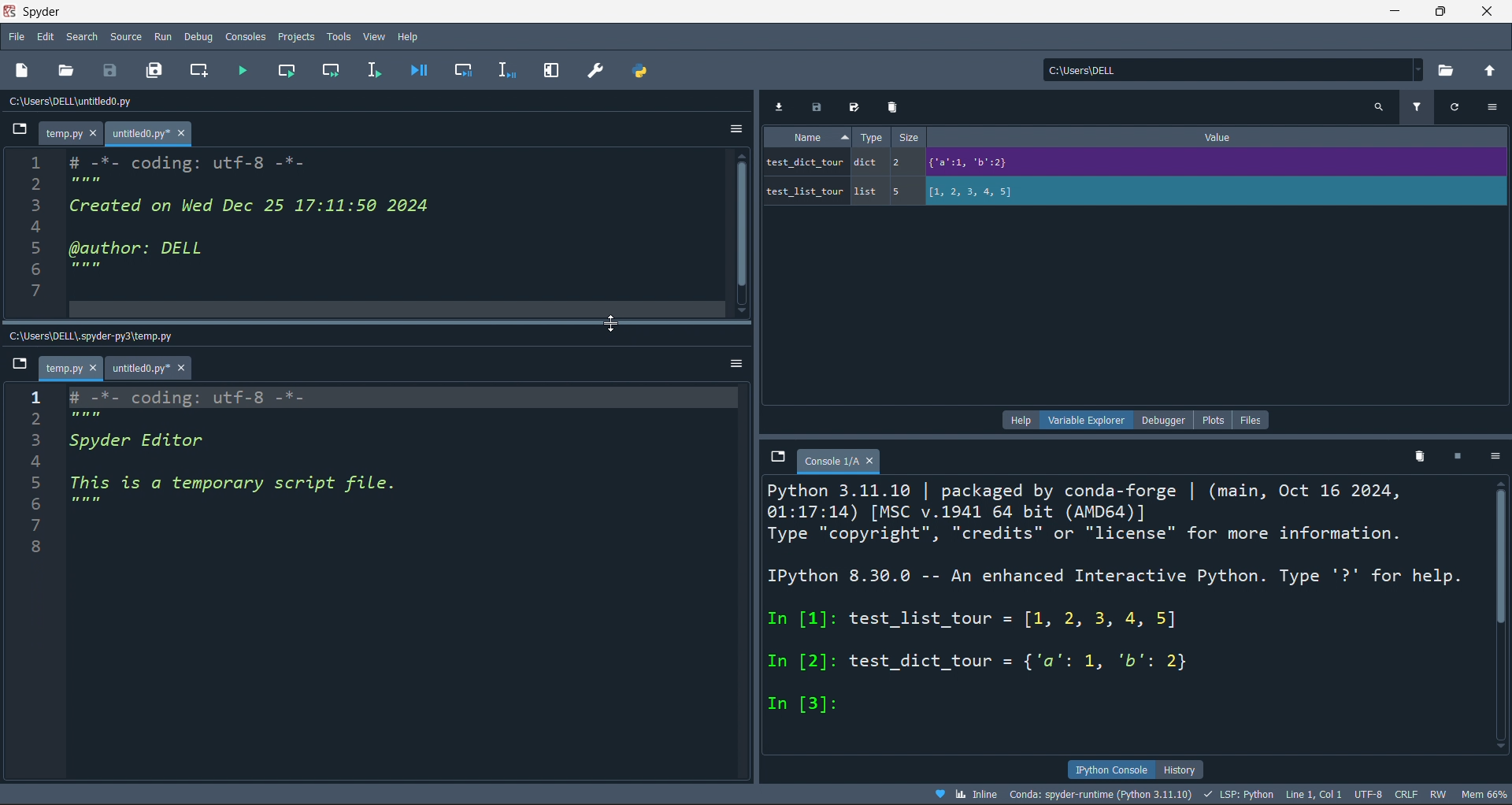 The image size is (1512, 805). What do you see at coordinates (31, 69) in the screenshot?
I see `new file` at bounding box center [31, 69].